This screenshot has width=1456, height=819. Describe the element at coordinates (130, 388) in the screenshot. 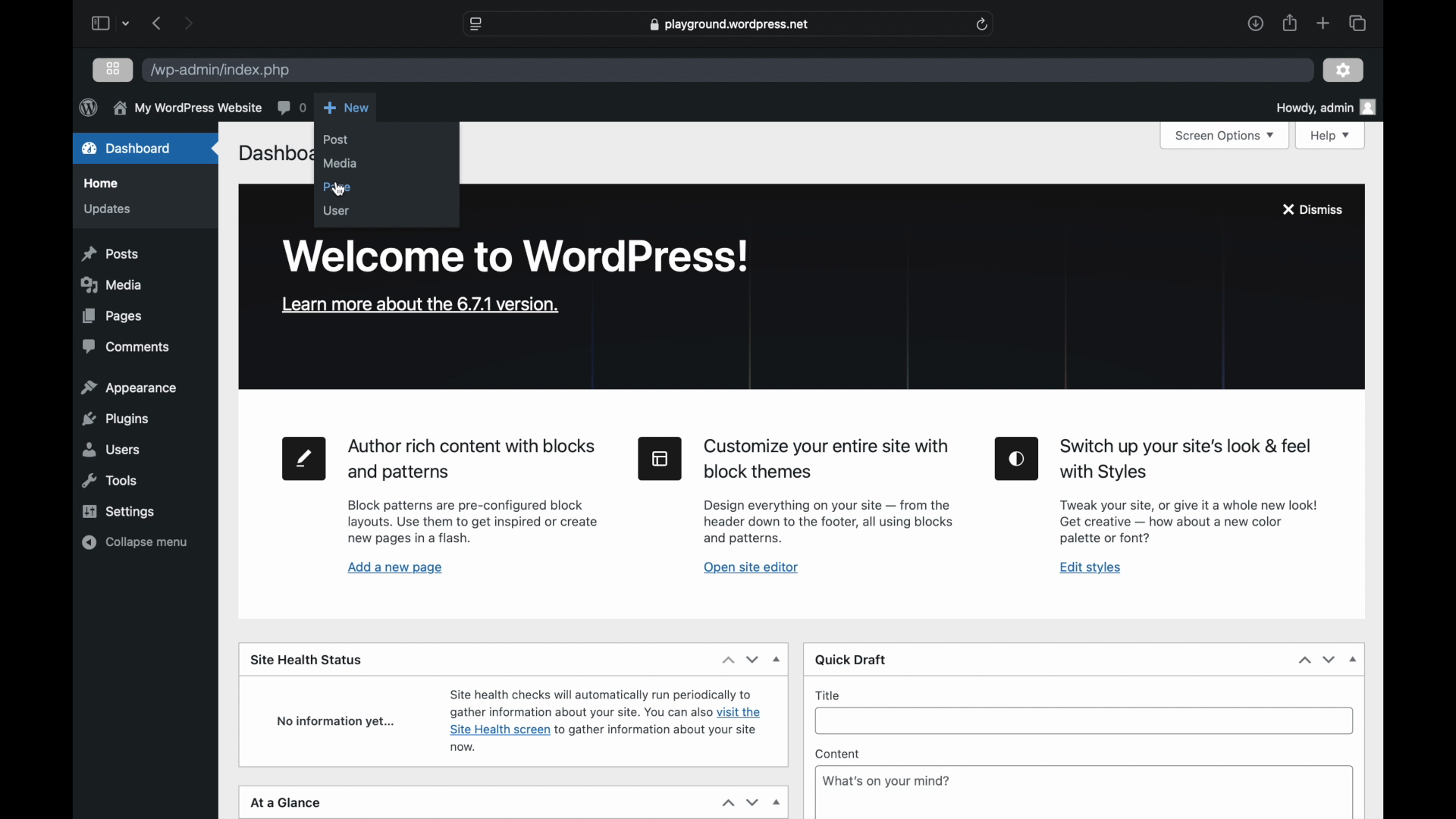

I see `appearance` at that location.